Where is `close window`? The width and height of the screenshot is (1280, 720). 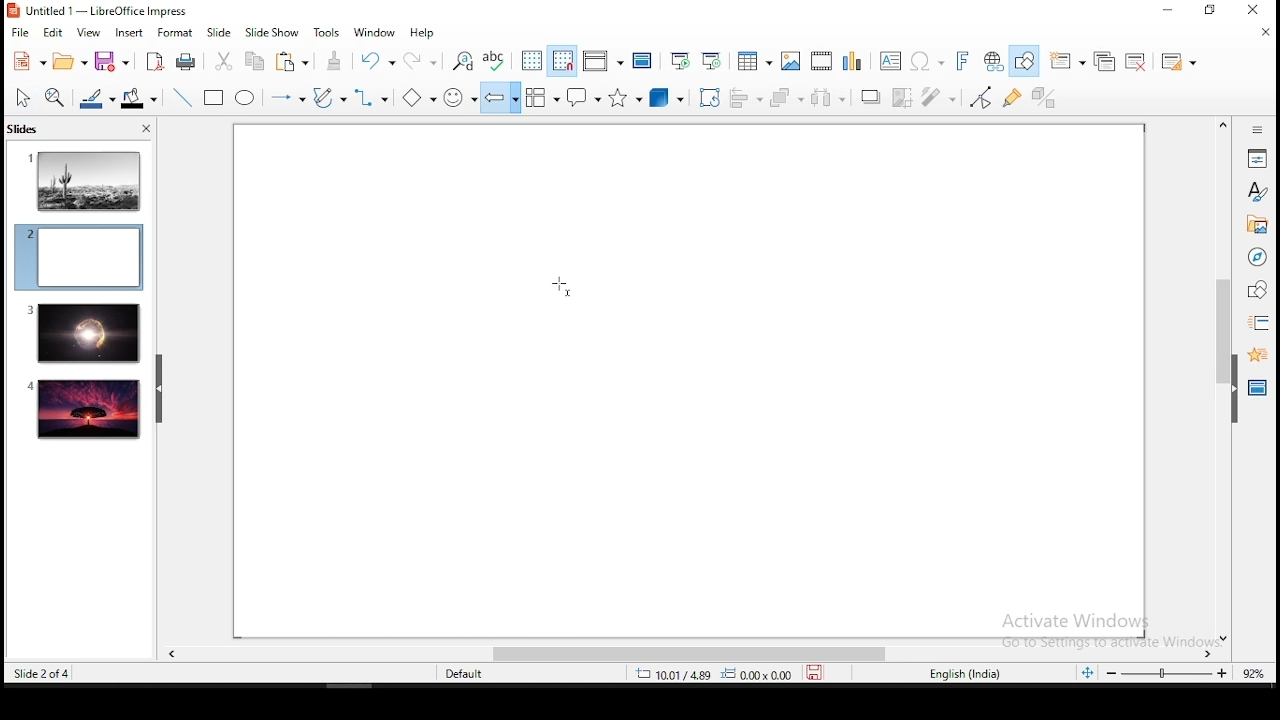
close window is located at coordinates (1257, 11).